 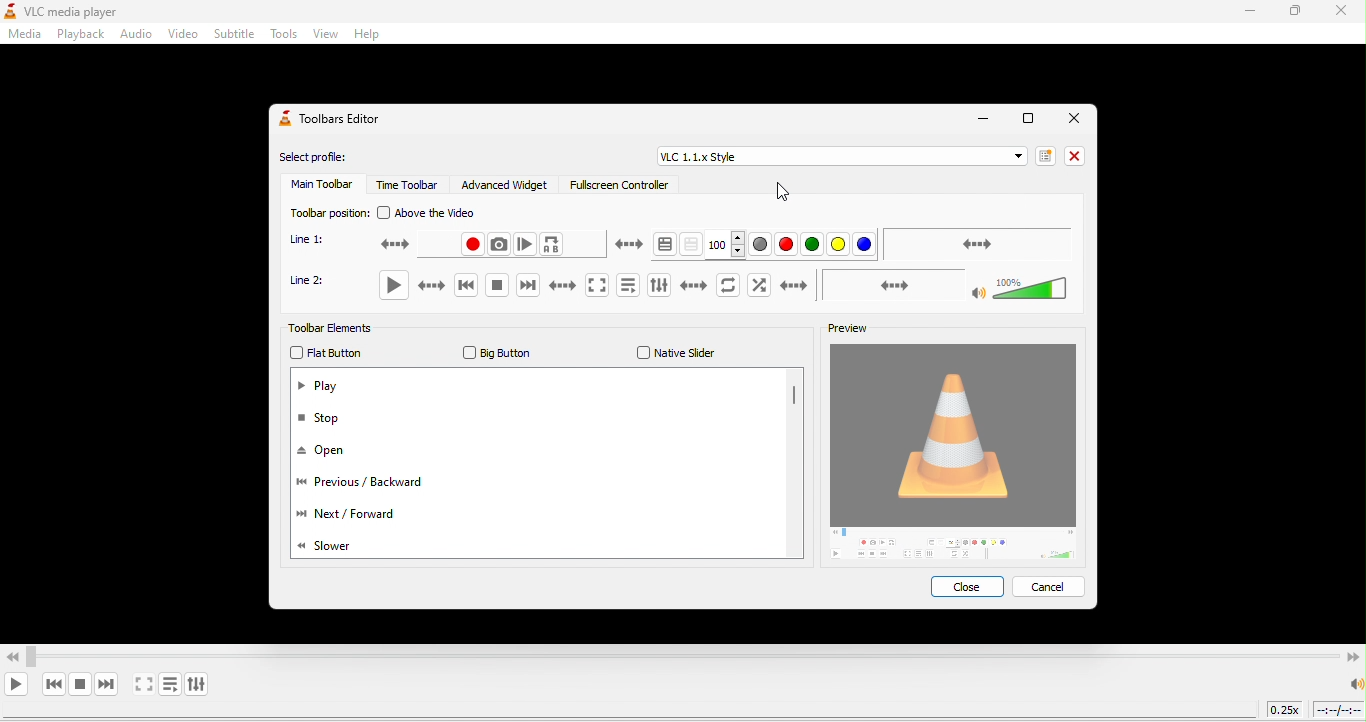 What do you see at coordinates (616, 188) in the screenshot?
I see `fullscreen controller` at bounding box center [616, 188].